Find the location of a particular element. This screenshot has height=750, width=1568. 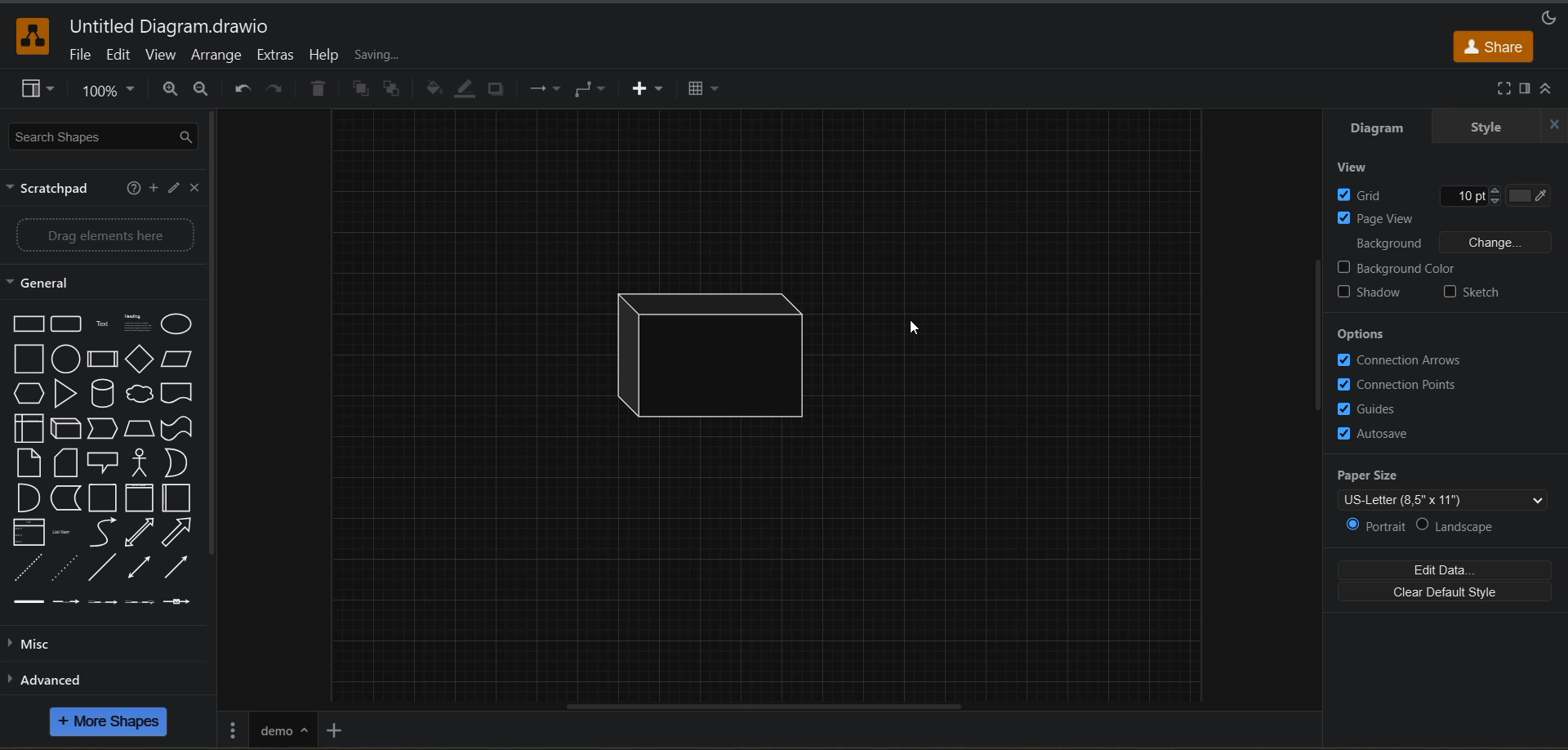

style is located at coordinates (1484, 128).